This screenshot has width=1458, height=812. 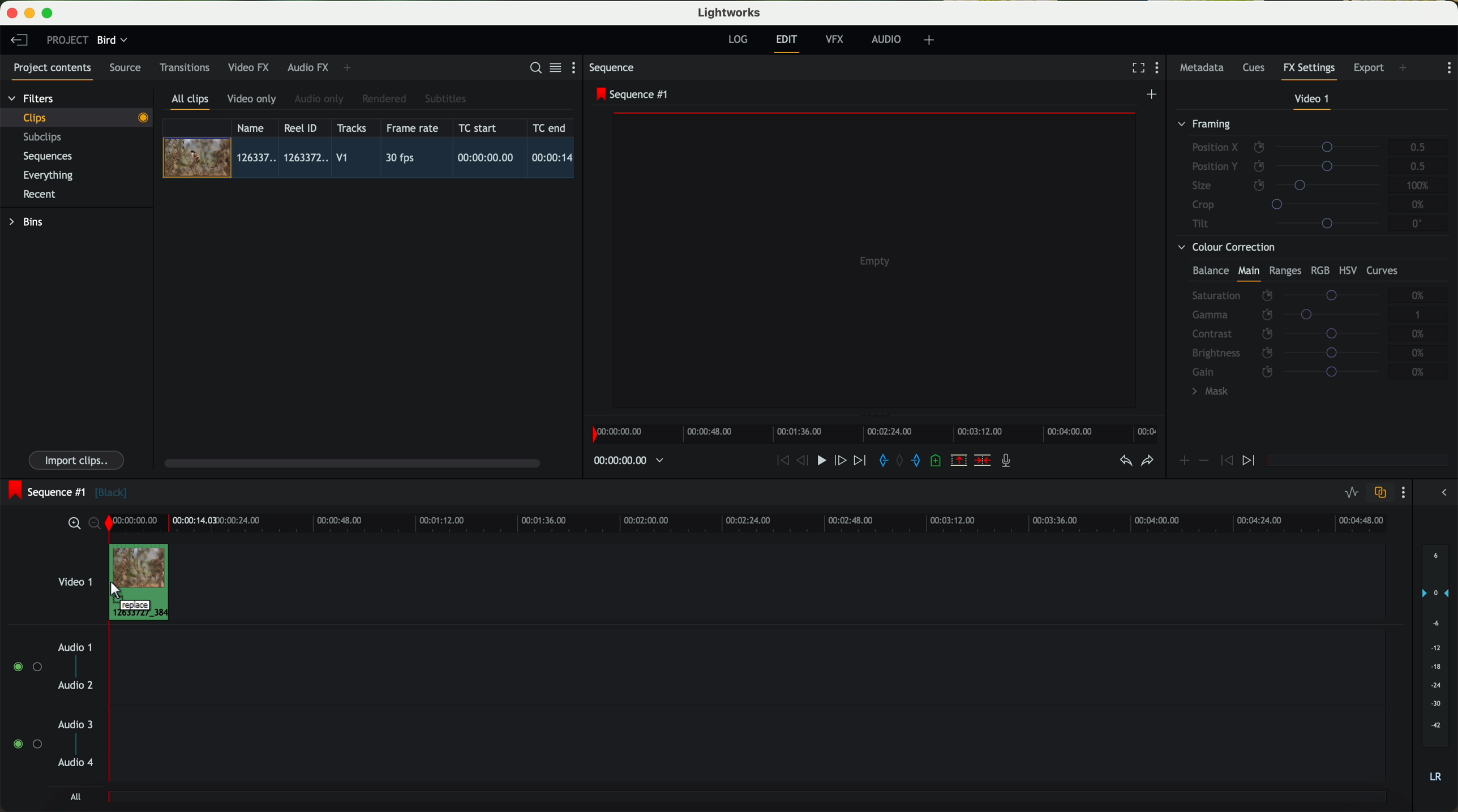 What do you see at coordinates (1203, 461) in the screenshot?
I see `icon` at bounding box center [1203, 461].